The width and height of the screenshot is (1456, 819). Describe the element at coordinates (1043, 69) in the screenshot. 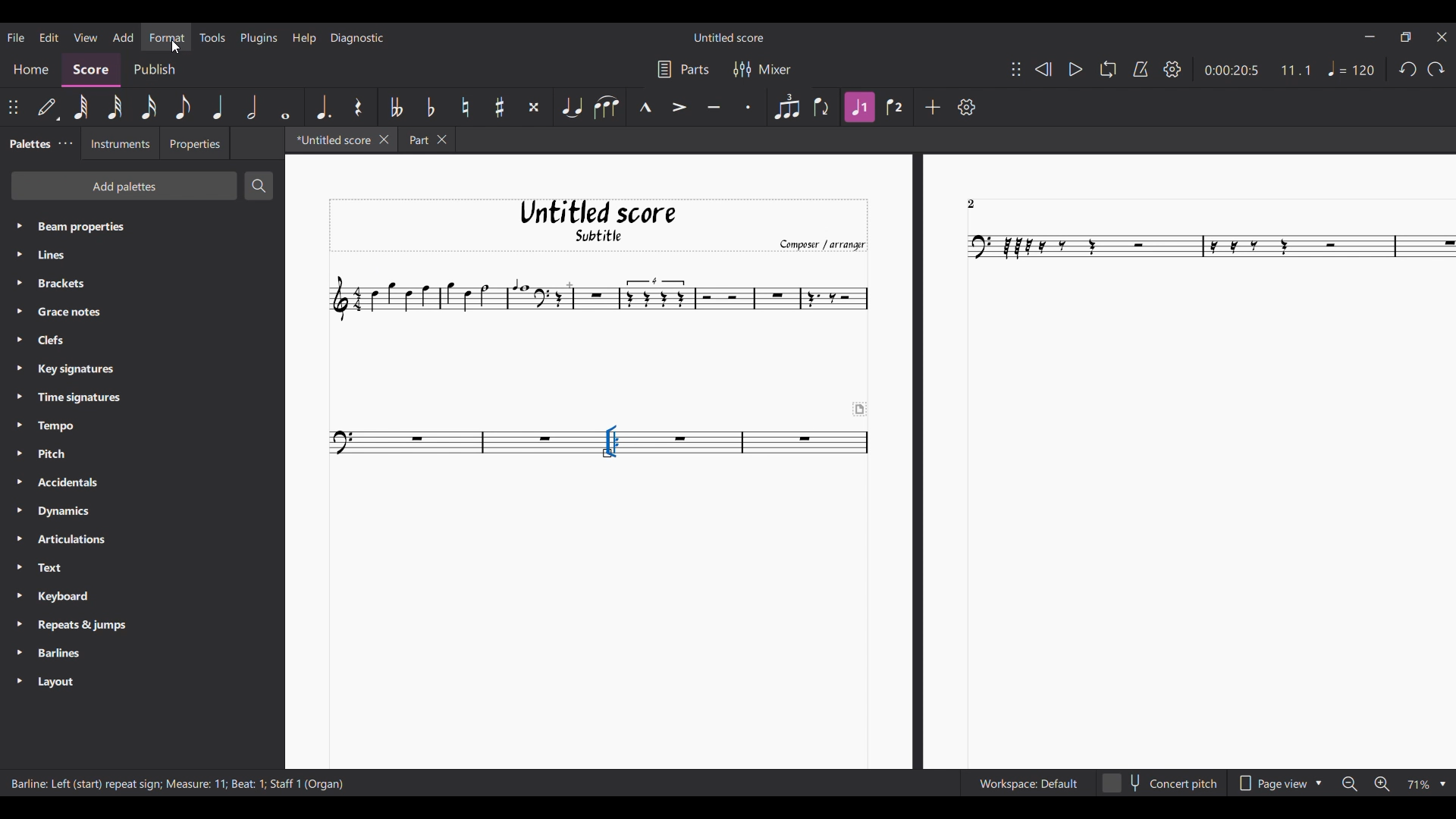

I see `Rewind` at that location.